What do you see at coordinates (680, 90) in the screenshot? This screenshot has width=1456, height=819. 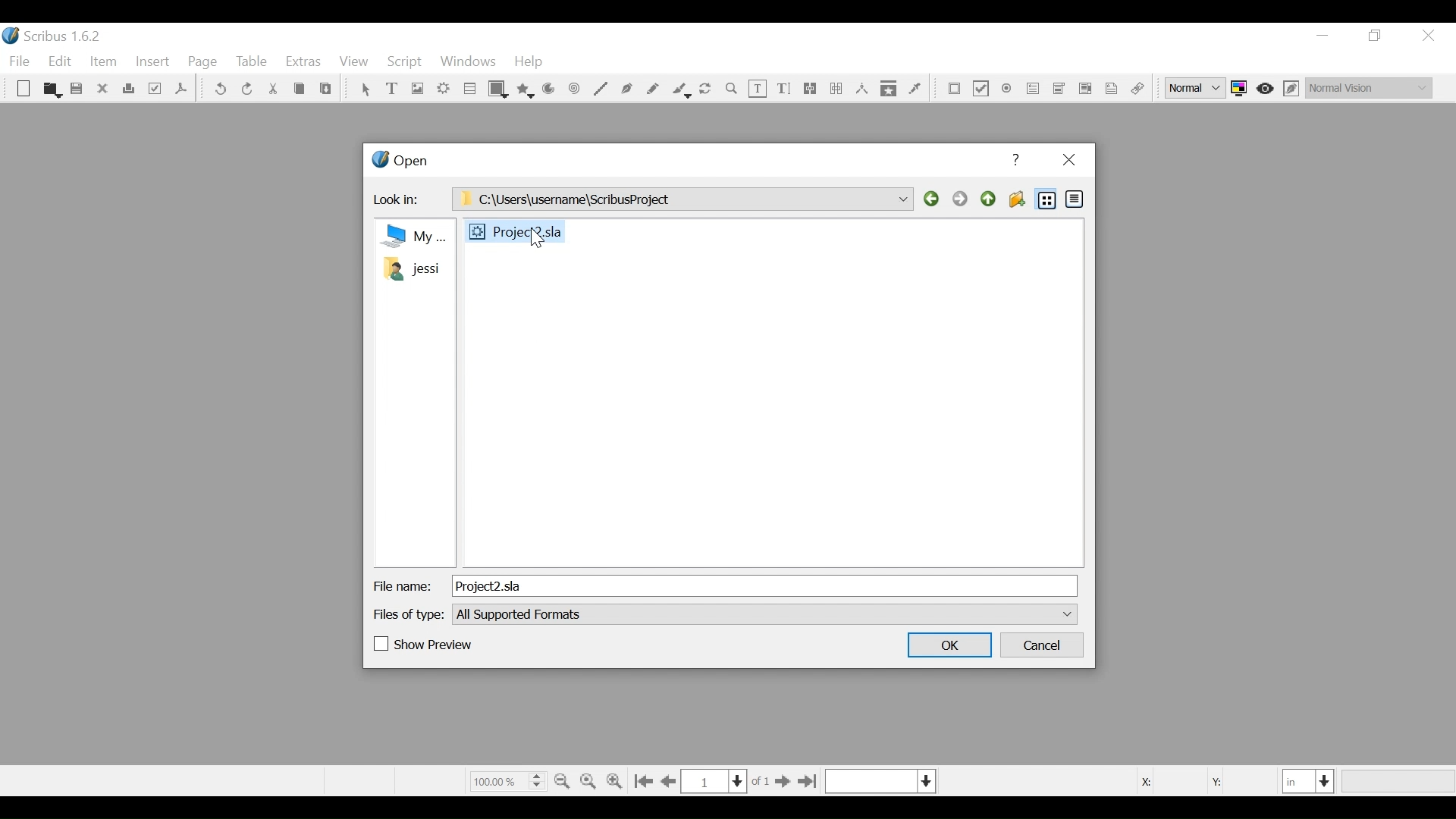 I see `Calligraphic line` at bounding box center [680, 90].